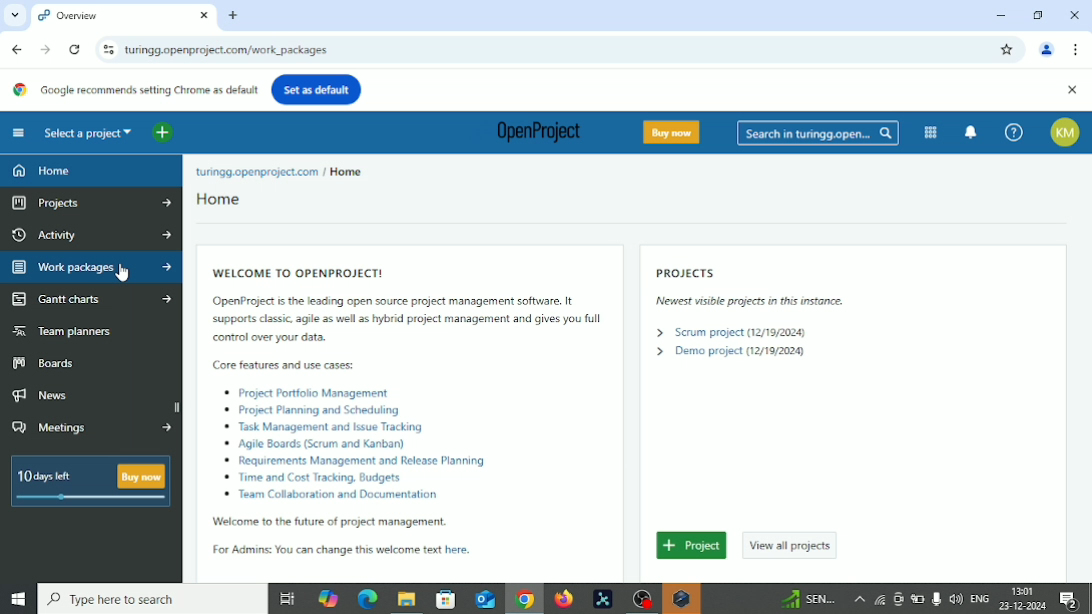 This screenshot has width=1092, height=614. I want to click on hide sidebar, so click(177, 406).